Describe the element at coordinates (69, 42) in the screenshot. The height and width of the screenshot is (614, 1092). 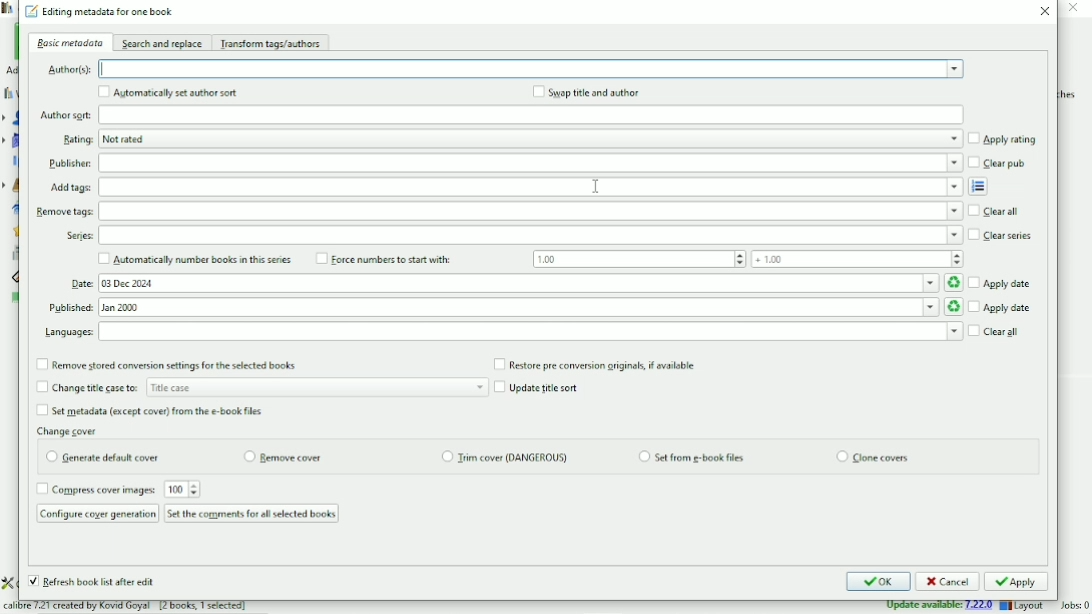
I see `Basic metadata` at that location.